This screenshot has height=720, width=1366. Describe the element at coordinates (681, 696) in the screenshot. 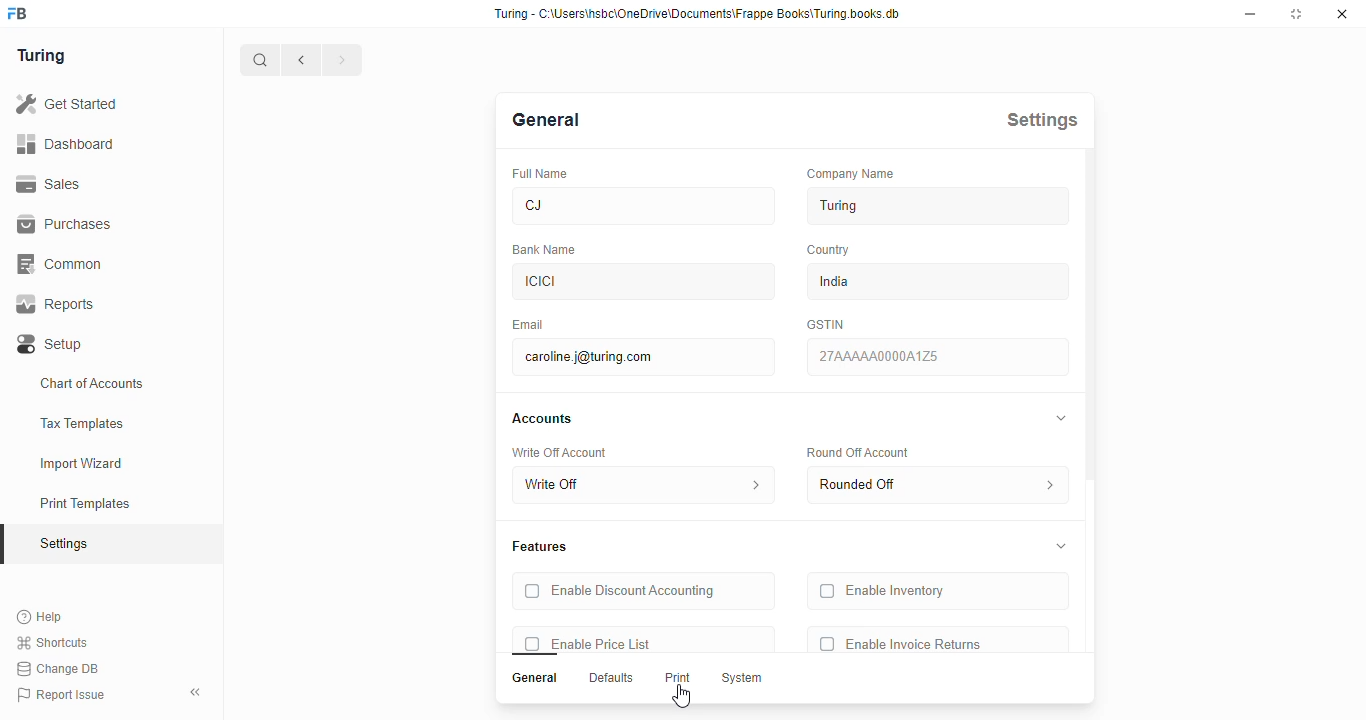

I see `cursor` at that location.